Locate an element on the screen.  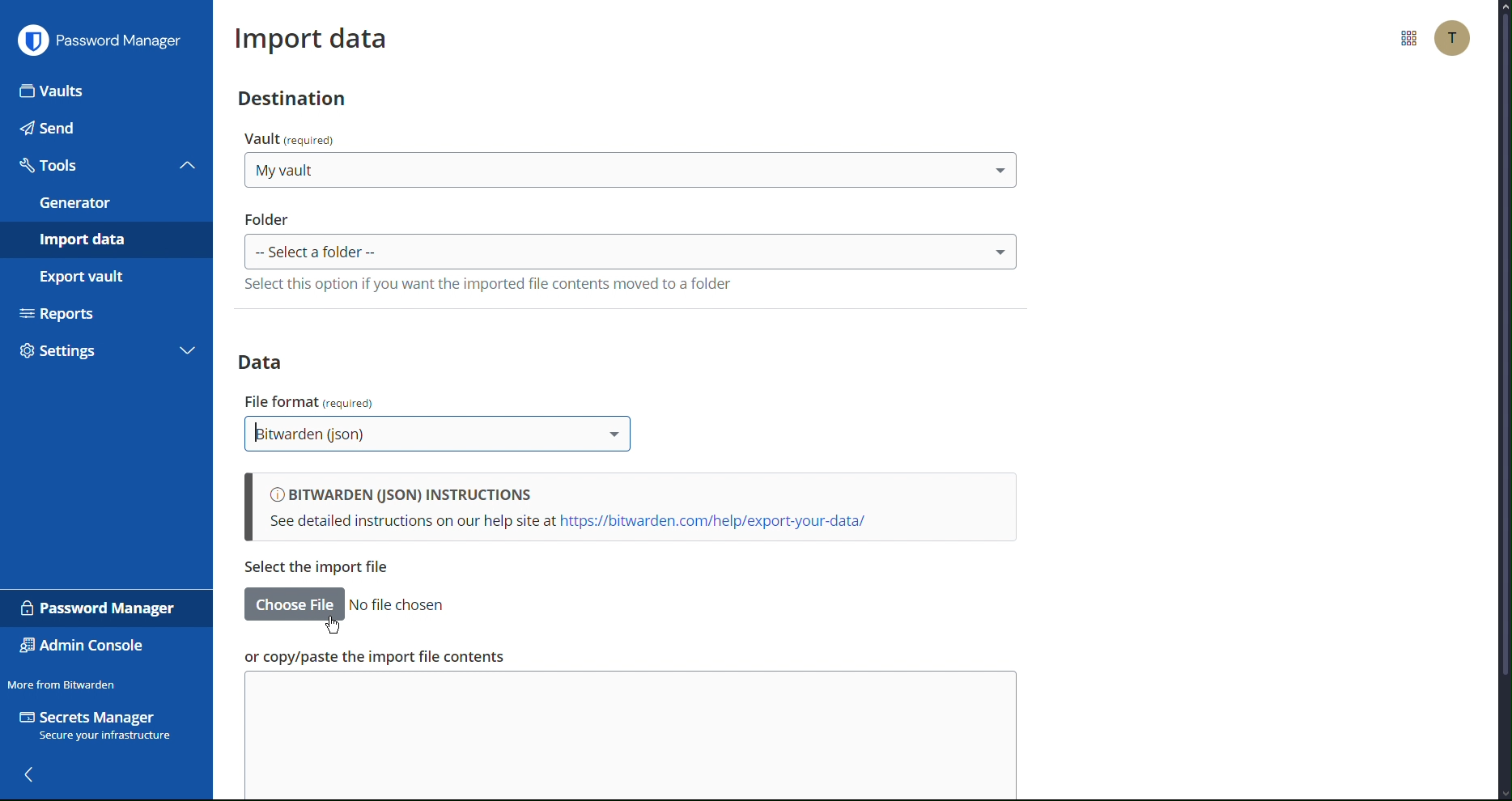
Admin Console is located at coordinates (83, 647).